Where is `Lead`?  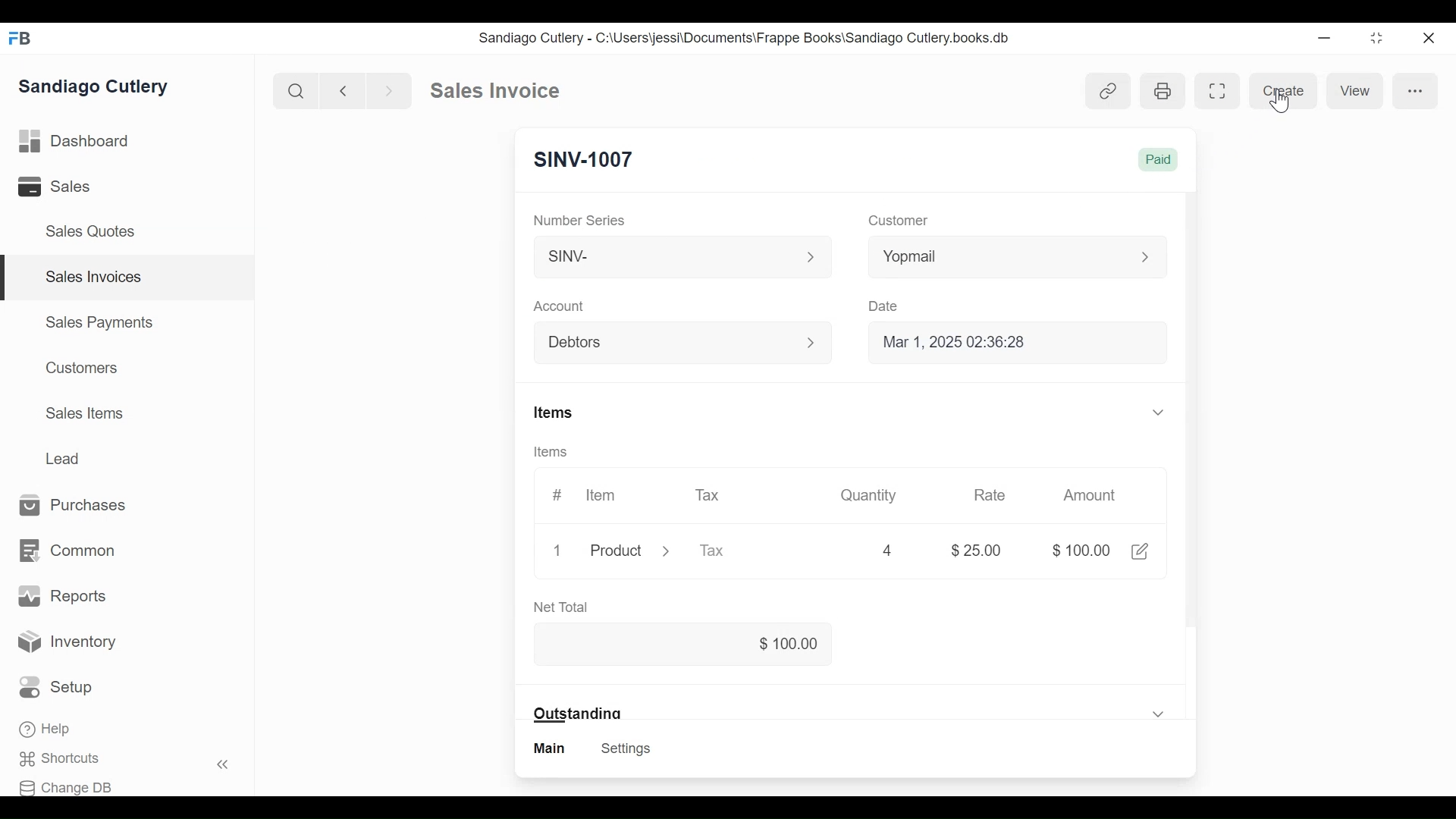
Lead is located at coordinates (64, 457).